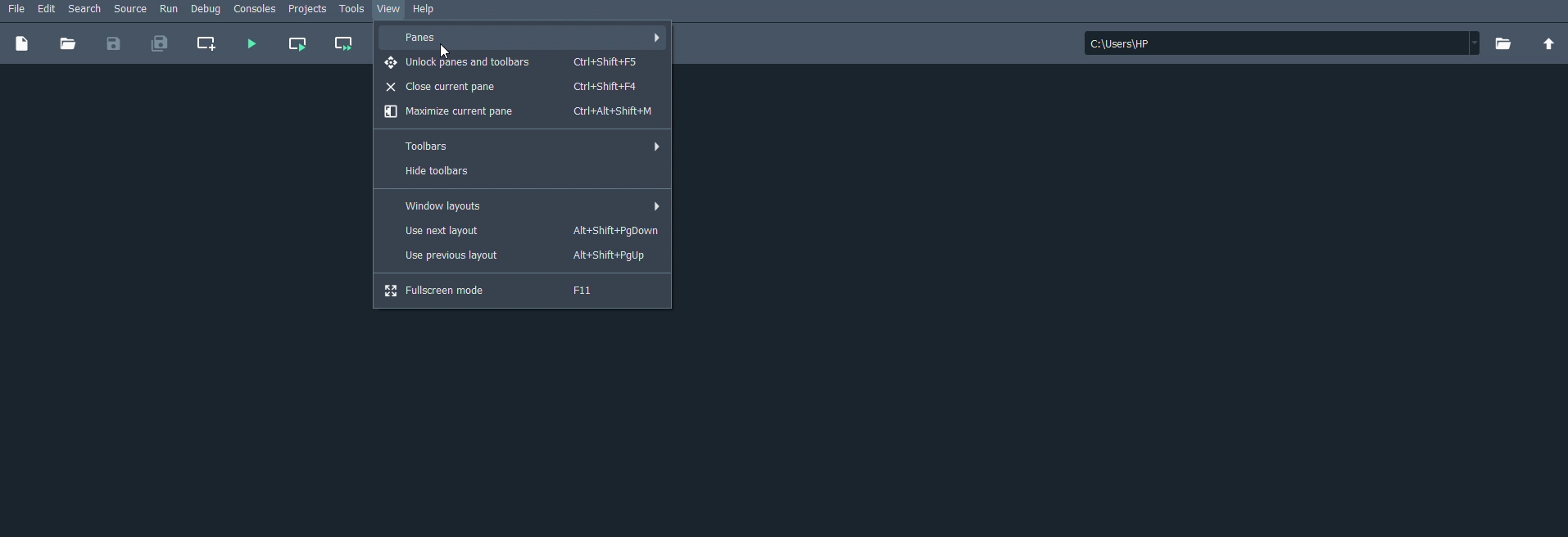  What do you see at coordinates (297, 45) in the screenshot?
I see `Run current cell` at bounding box center [297, 45].